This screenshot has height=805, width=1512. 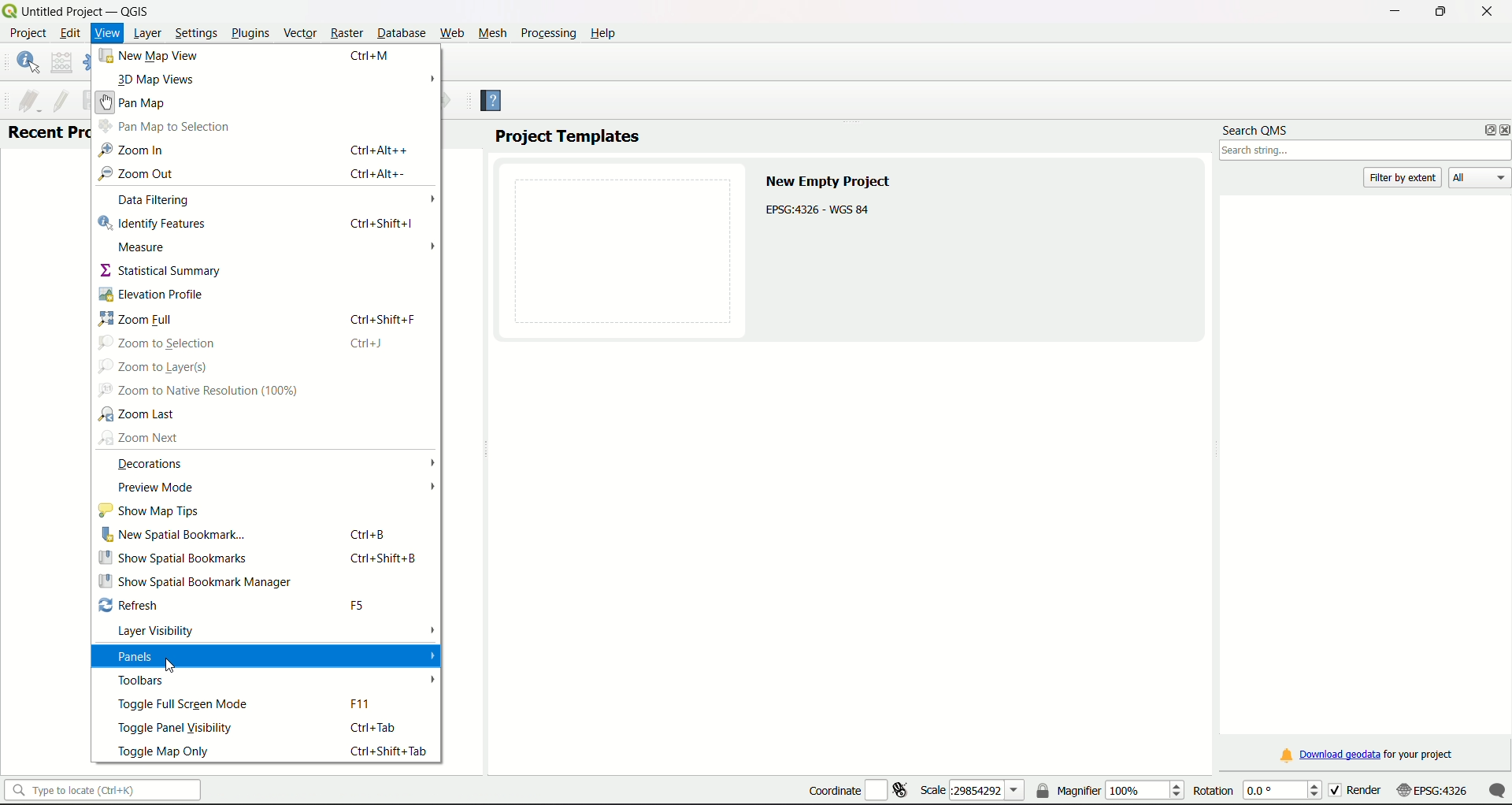 What do you see at coordinates (429, 462) in the screenshot?
I see `arrow` at bounding box center [429, 462].